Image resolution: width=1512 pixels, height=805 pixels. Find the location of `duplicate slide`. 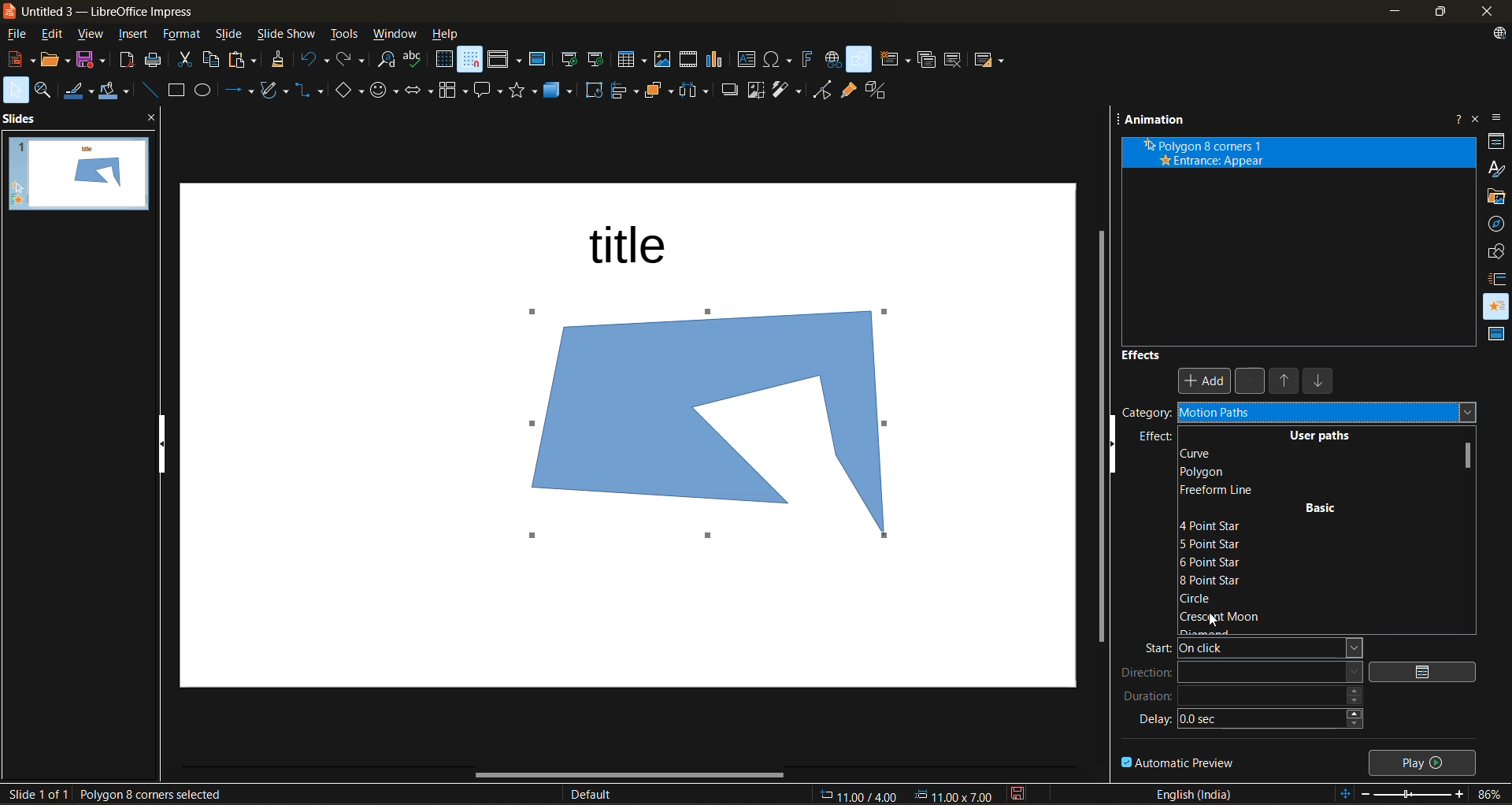

duplicate slide is located at coordinates (927, 60).